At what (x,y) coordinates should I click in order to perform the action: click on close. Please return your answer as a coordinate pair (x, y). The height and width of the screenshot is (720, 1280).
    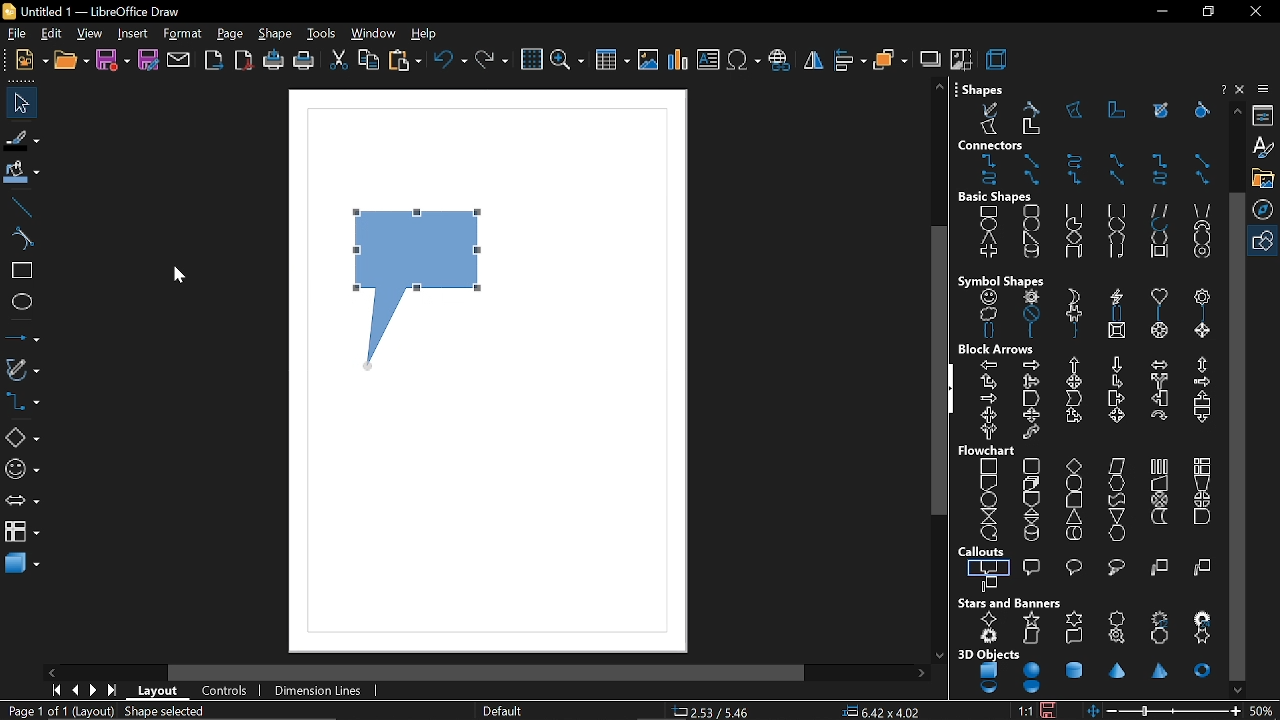
    Looking at the image, I should click on (1255, 11).